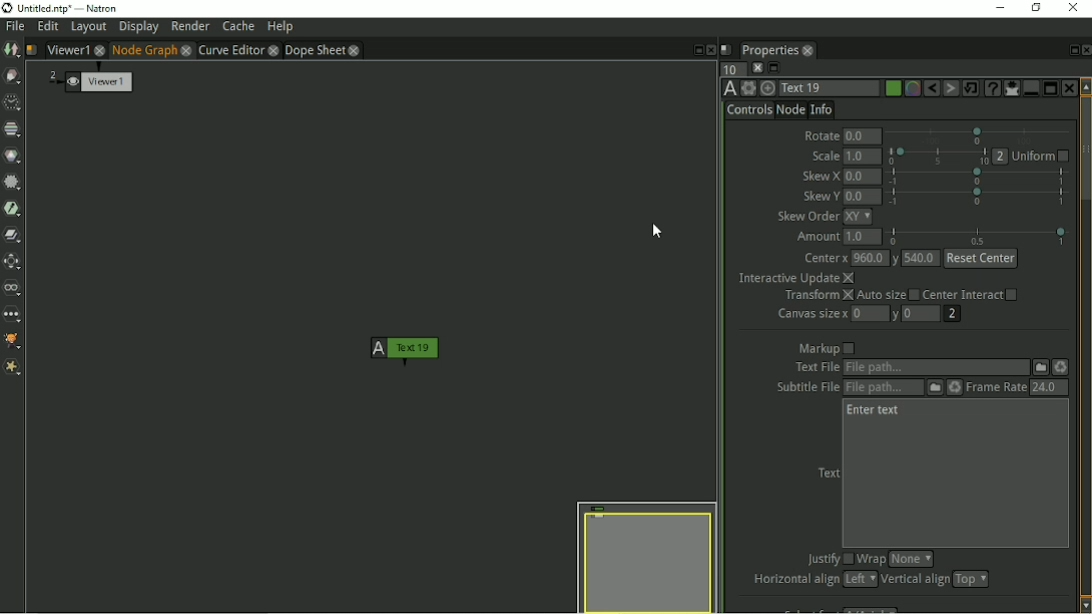  What do you see at coordinates (824, 155) in the screenshot?
I see `Scale` at bounding box center [824, 155].